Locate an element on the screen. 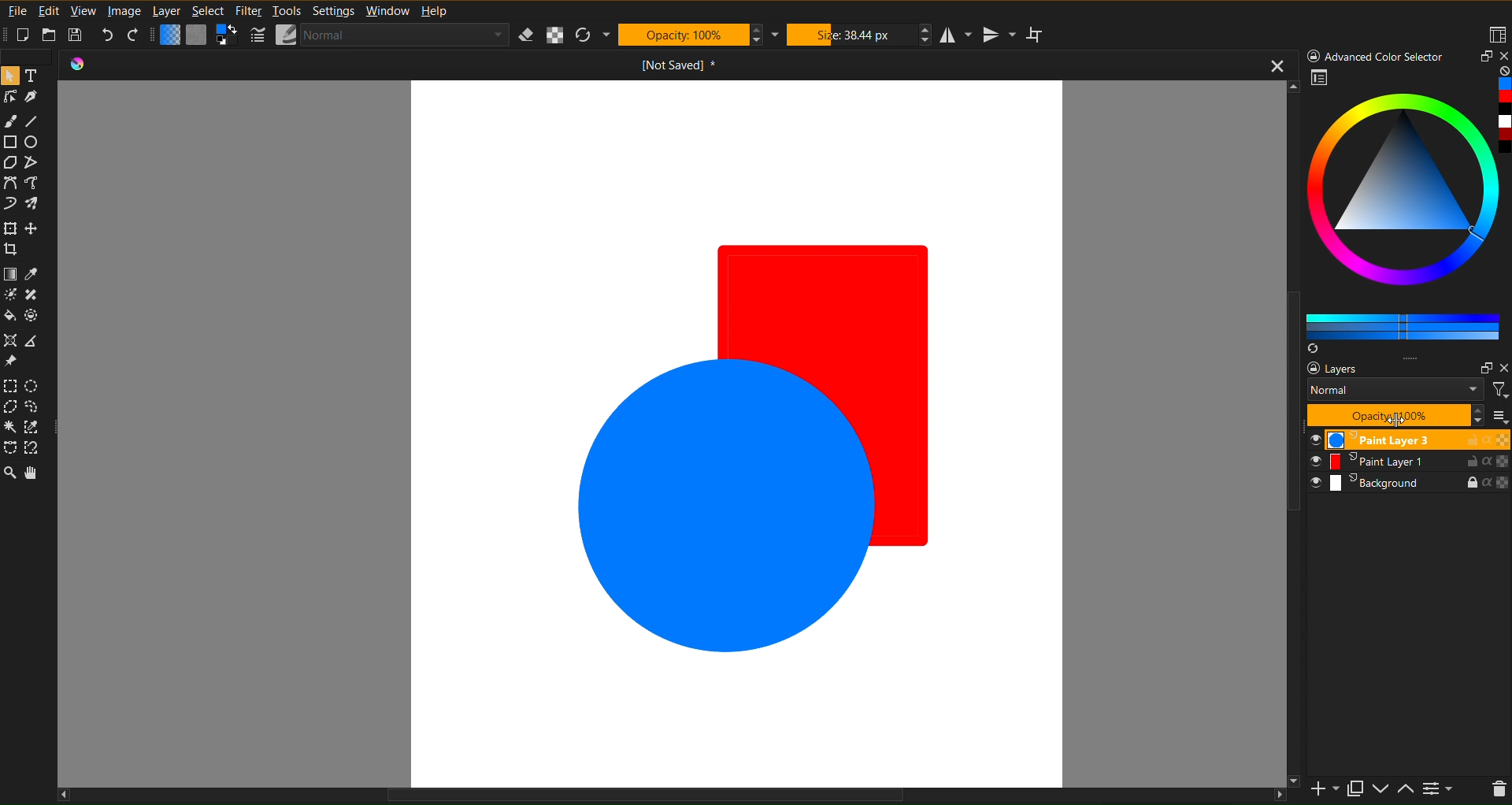  Brush Tool is located at coordinates (39, 204).